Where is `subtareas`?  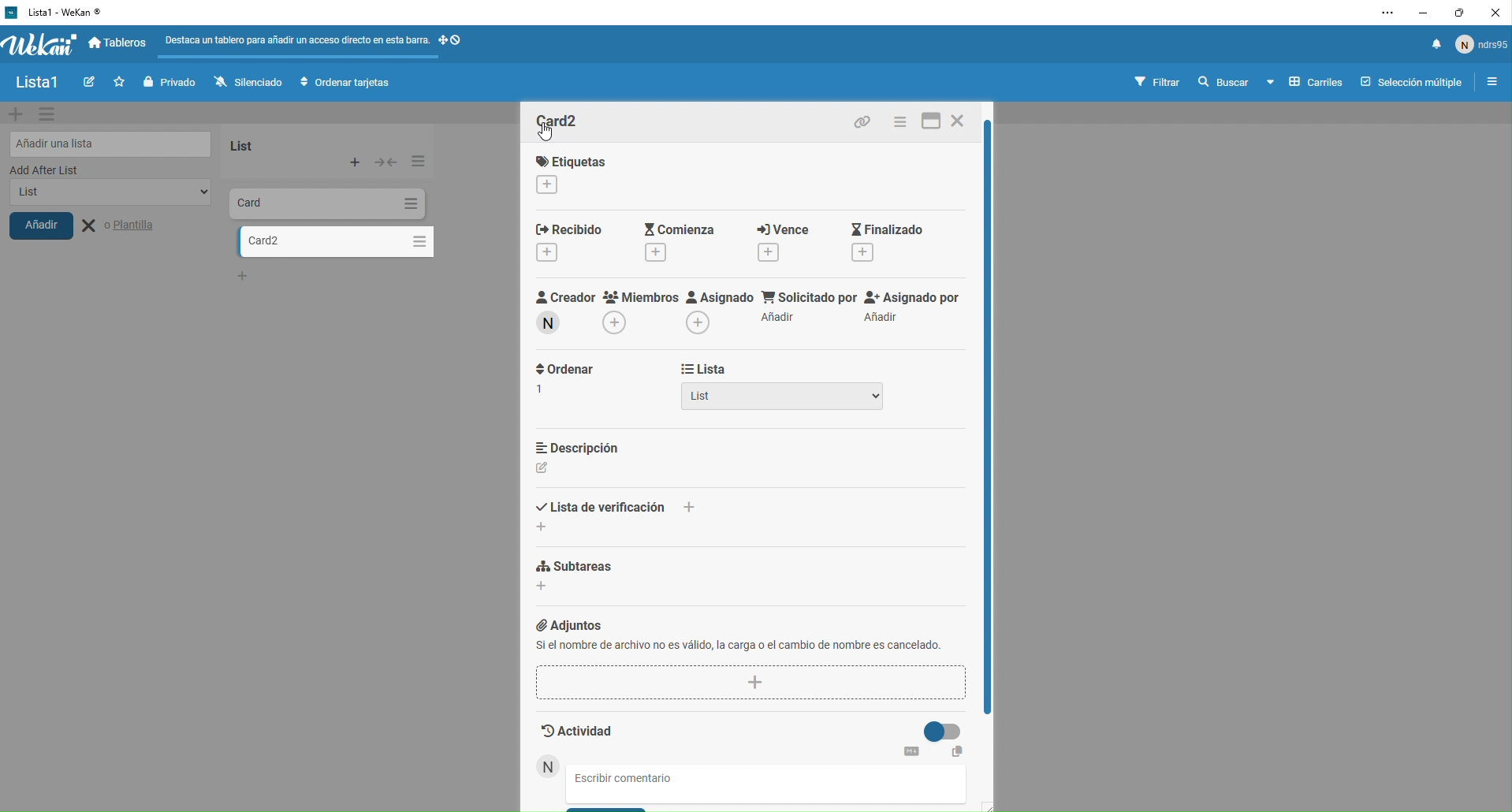
subtareas is located at coordinates (637, 583).